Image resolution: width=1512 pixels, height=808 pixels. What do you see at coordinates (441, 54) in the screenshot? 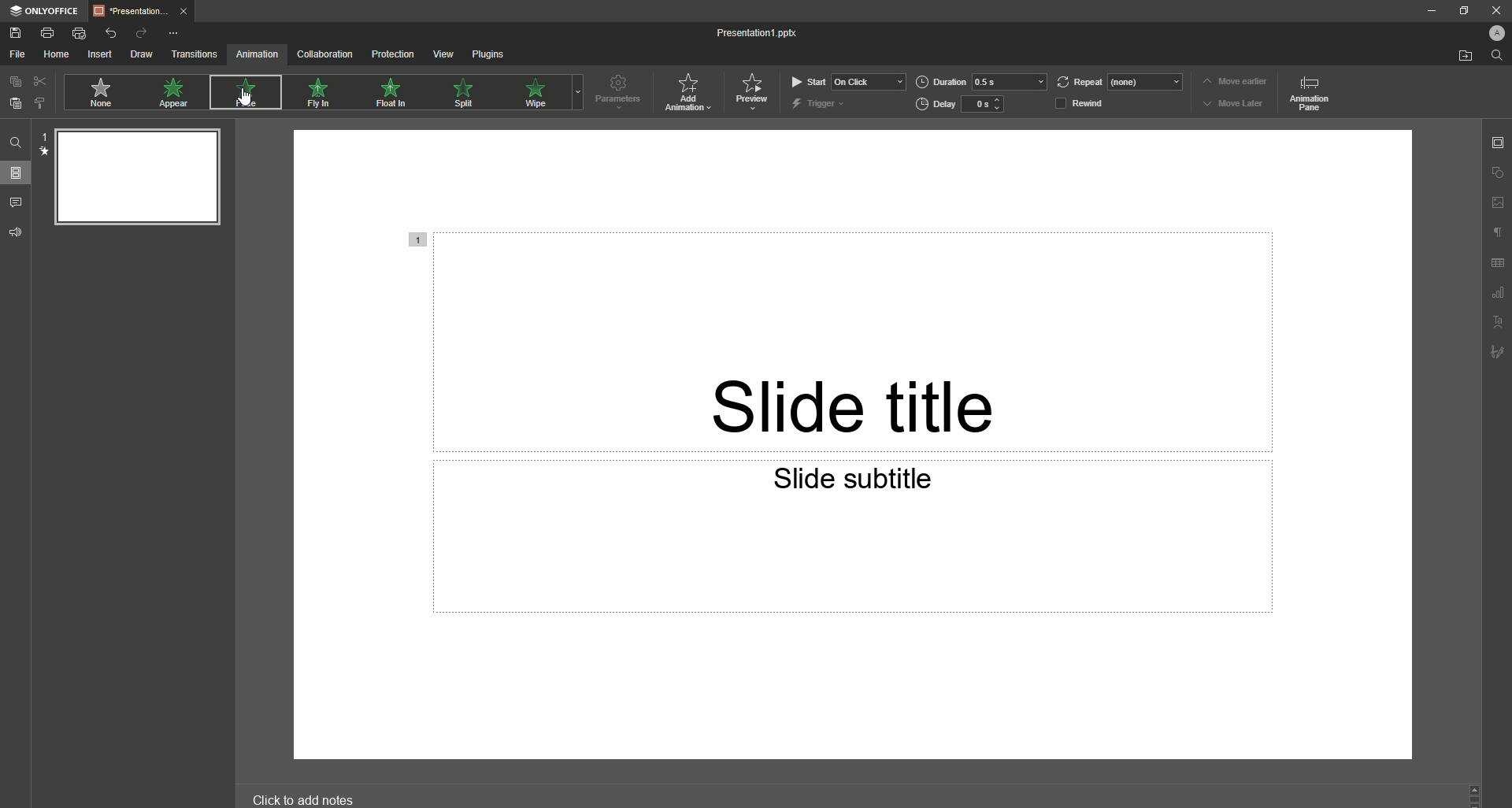
I see `View` at bounding box center [441, 54].